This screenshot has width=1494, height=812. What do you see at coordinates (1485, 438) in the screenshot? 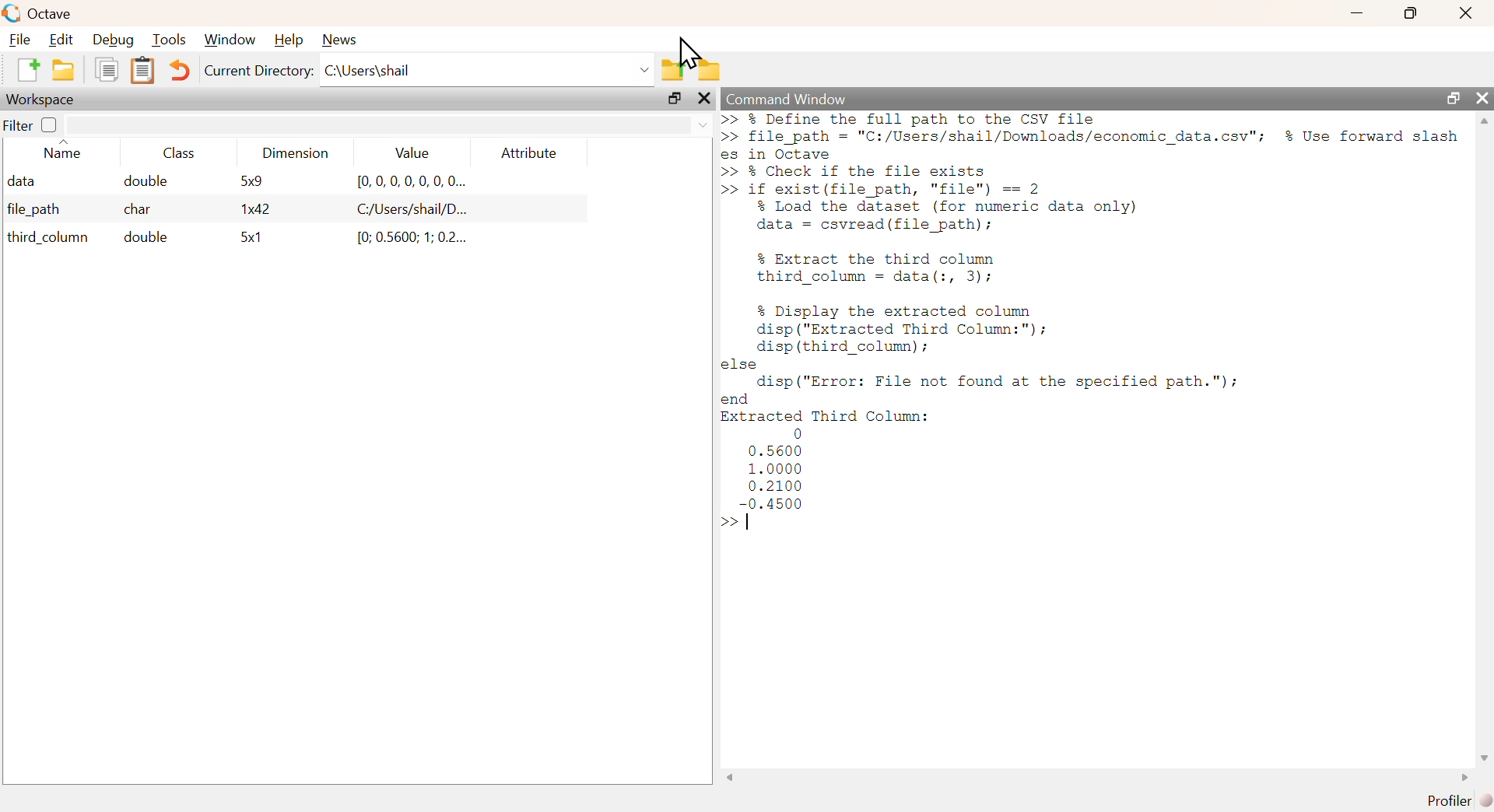
I see `vertical scroll bar` at bounding box center [1485, 438].